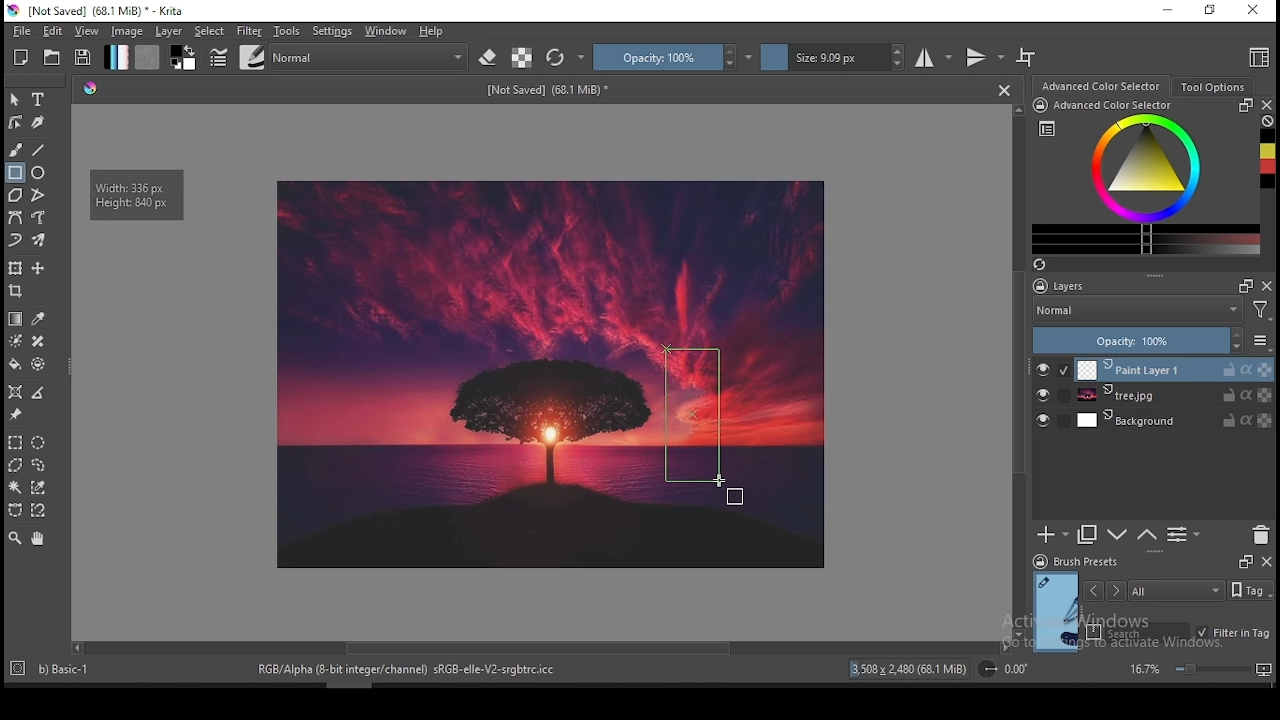 The image size is (1280, 720). Describe the element at coordinates (16, 150) in the screenshot. I see `brush tool` at that location.